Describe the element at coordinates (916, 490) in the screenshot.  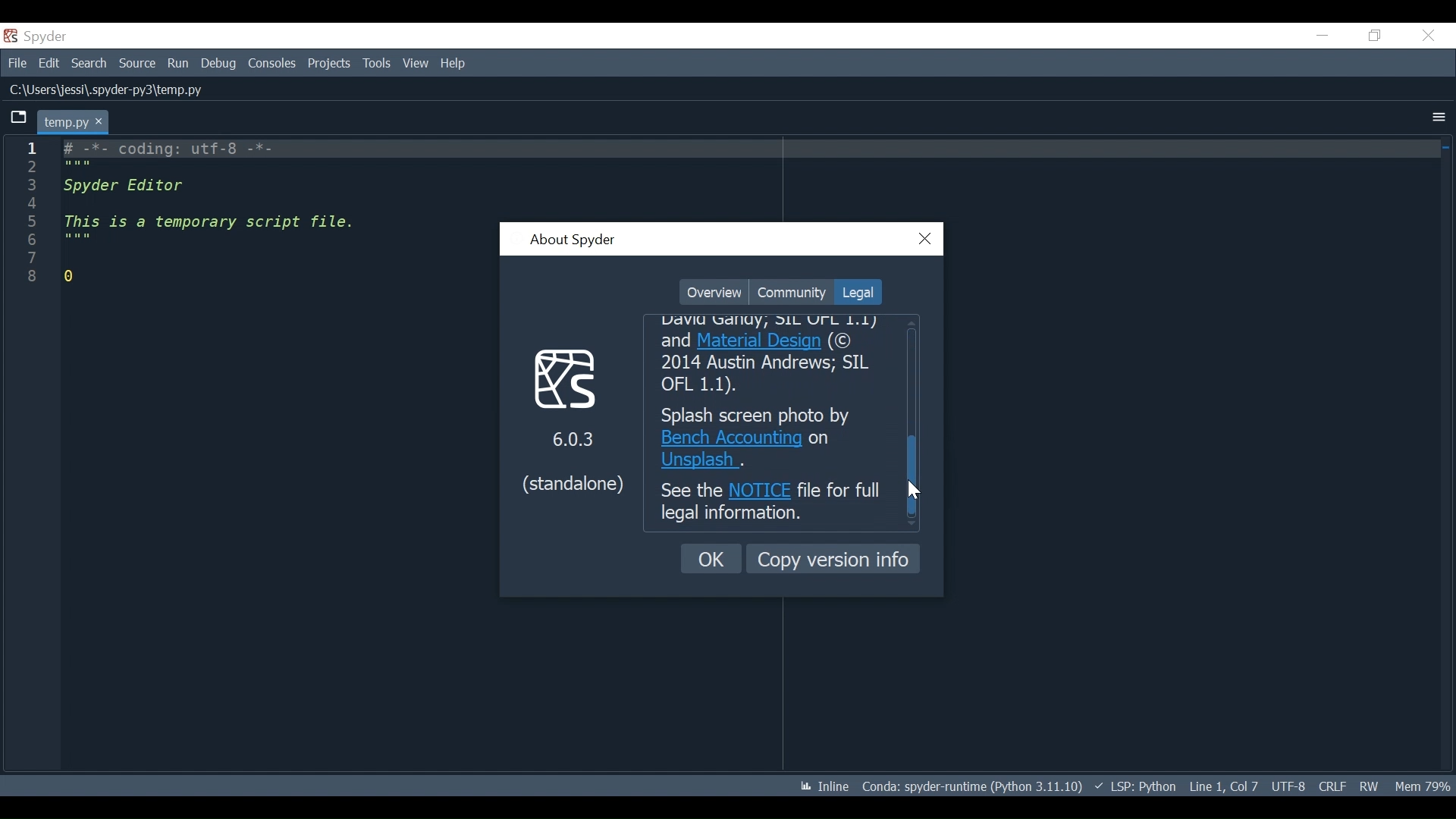
I see `Cursor` at that location.